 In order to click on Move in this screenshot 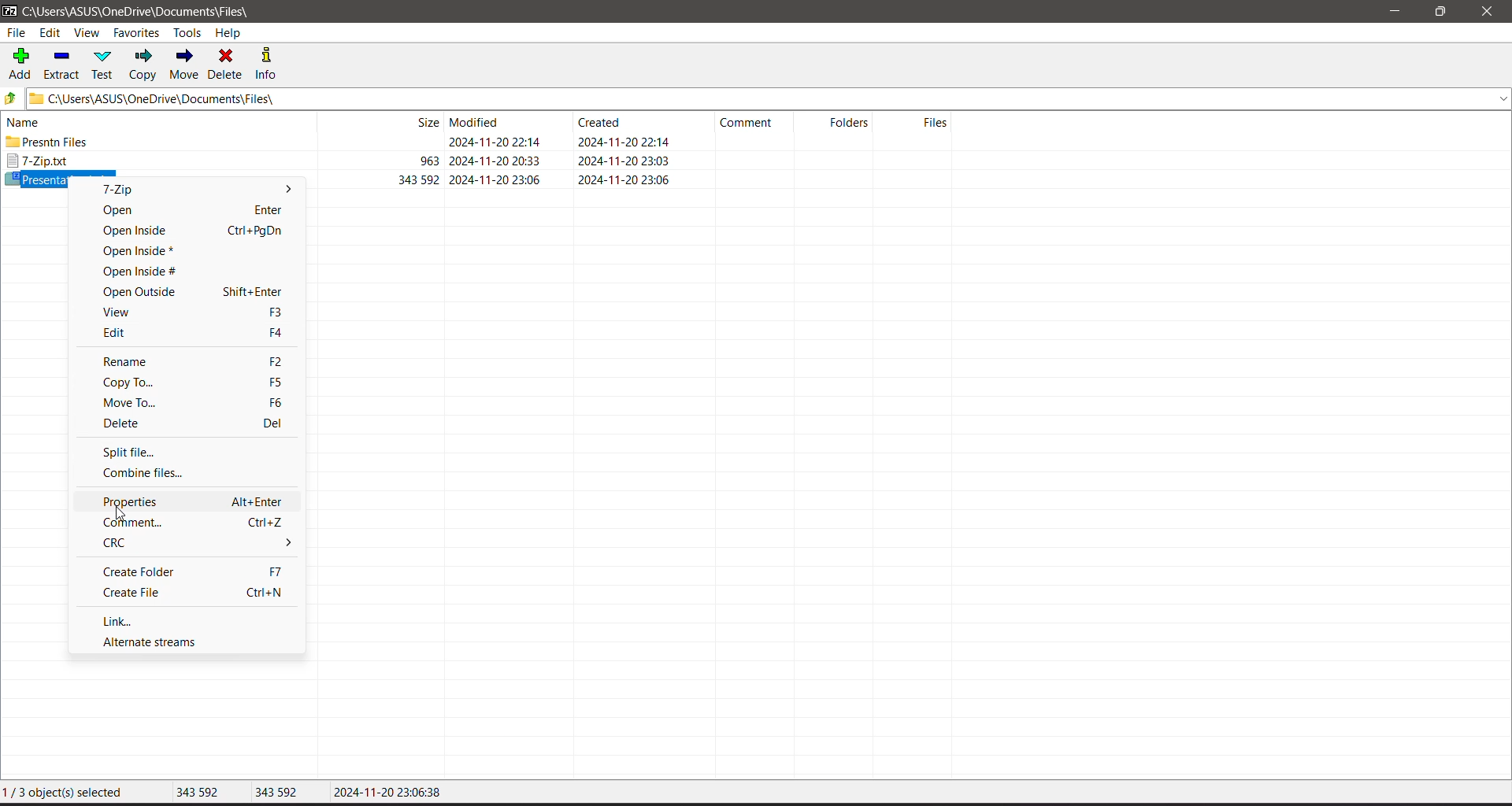, I will do `click(184, 65)`.